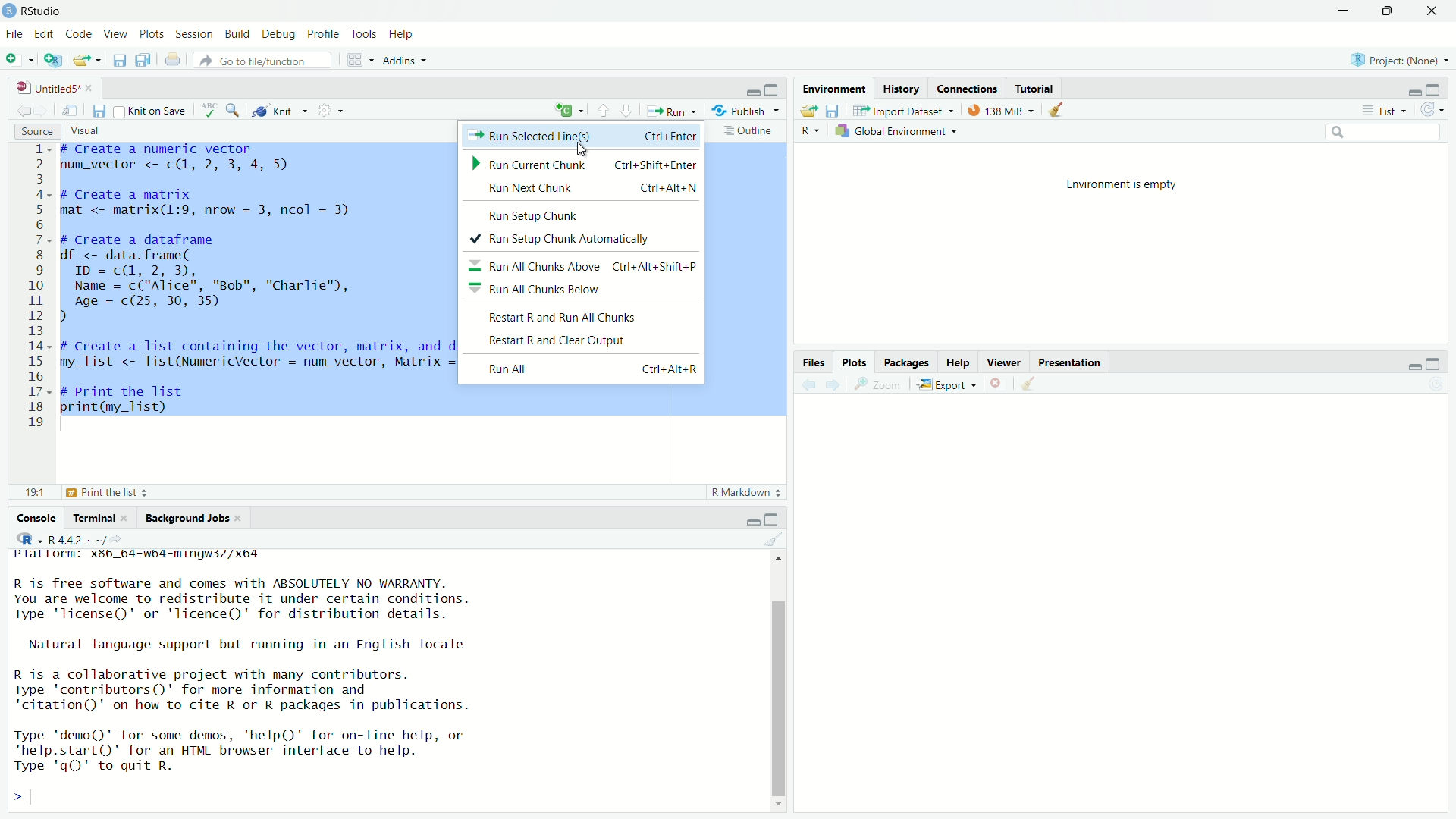  What do you see at coordinates (806, 111) in the screenshot?
I see `export` at bounding box center [806, 111].